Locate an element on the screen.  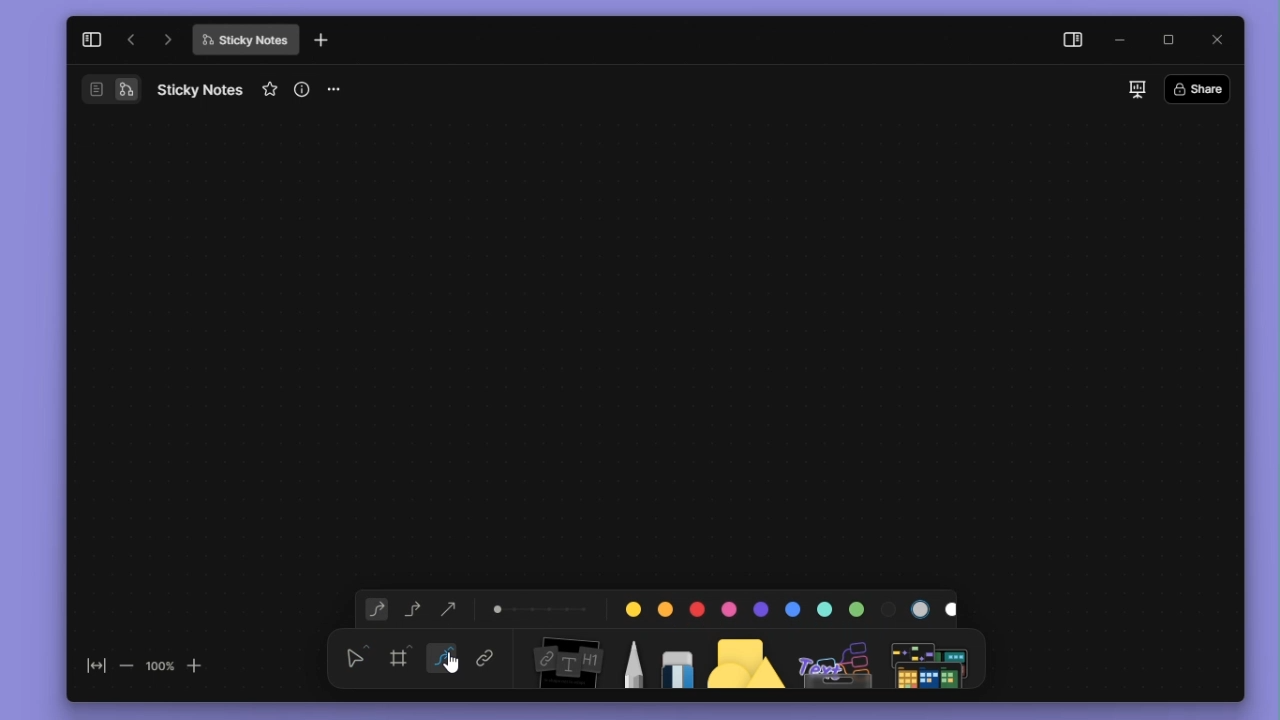
canvas grid is located at coordinates (645, 344).